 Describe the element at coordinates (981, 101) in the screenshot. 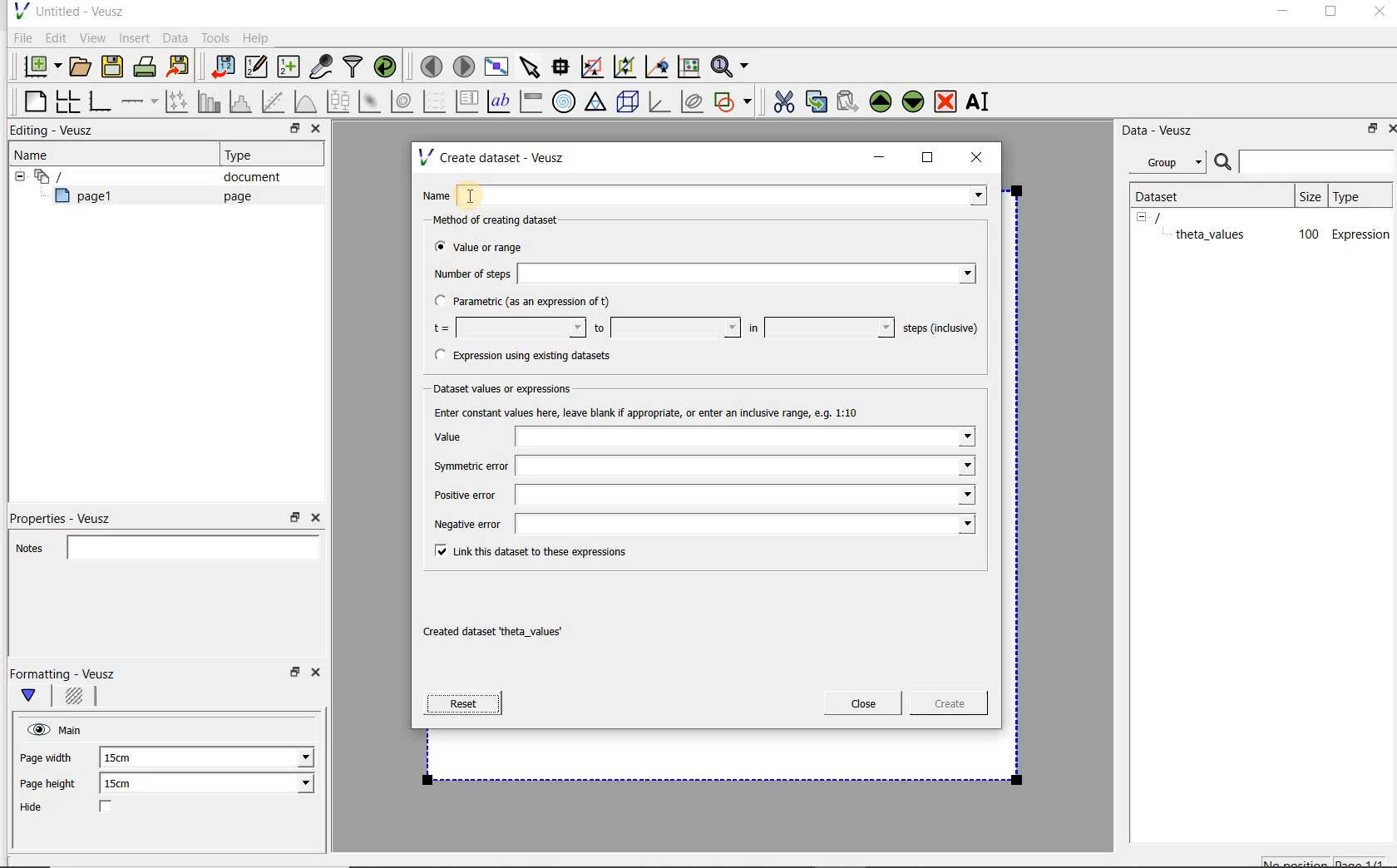

I see `rename the selected widget` at that location.